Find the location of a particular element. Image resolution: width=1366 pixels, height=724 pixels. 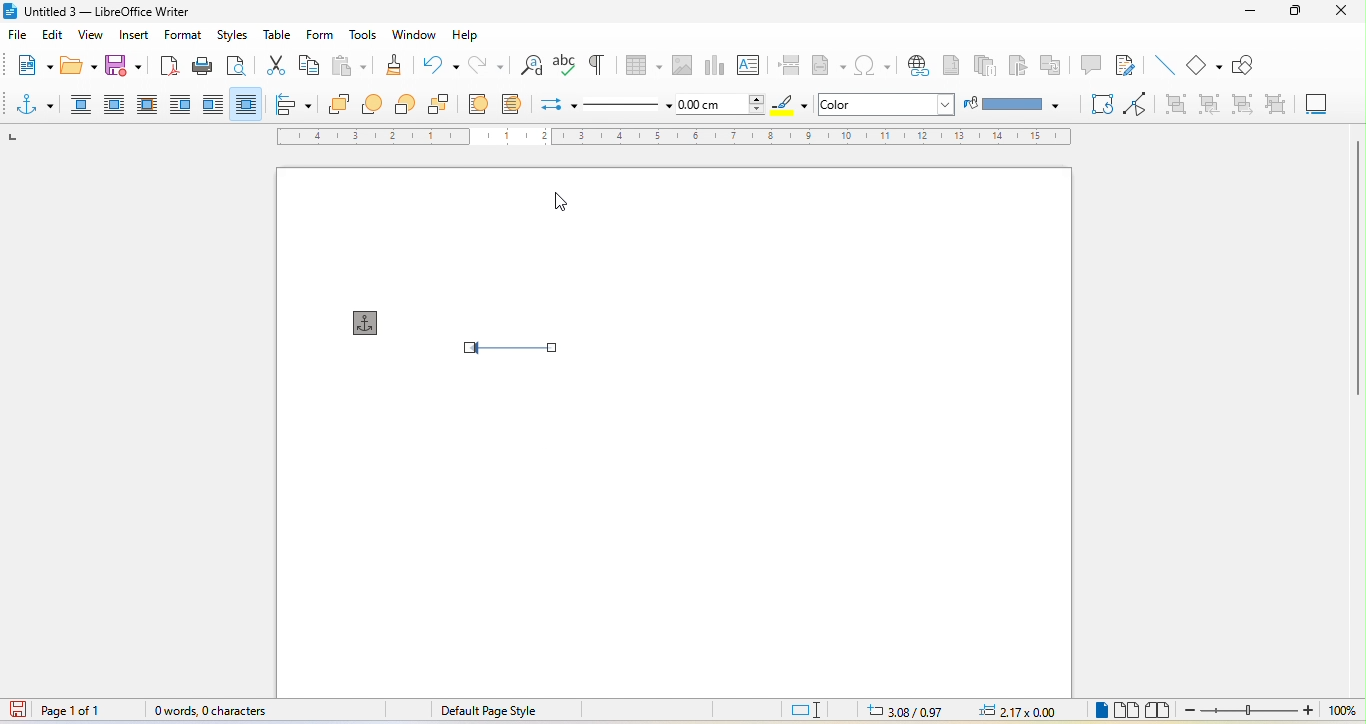

text box is located at coordinates (752, 64).